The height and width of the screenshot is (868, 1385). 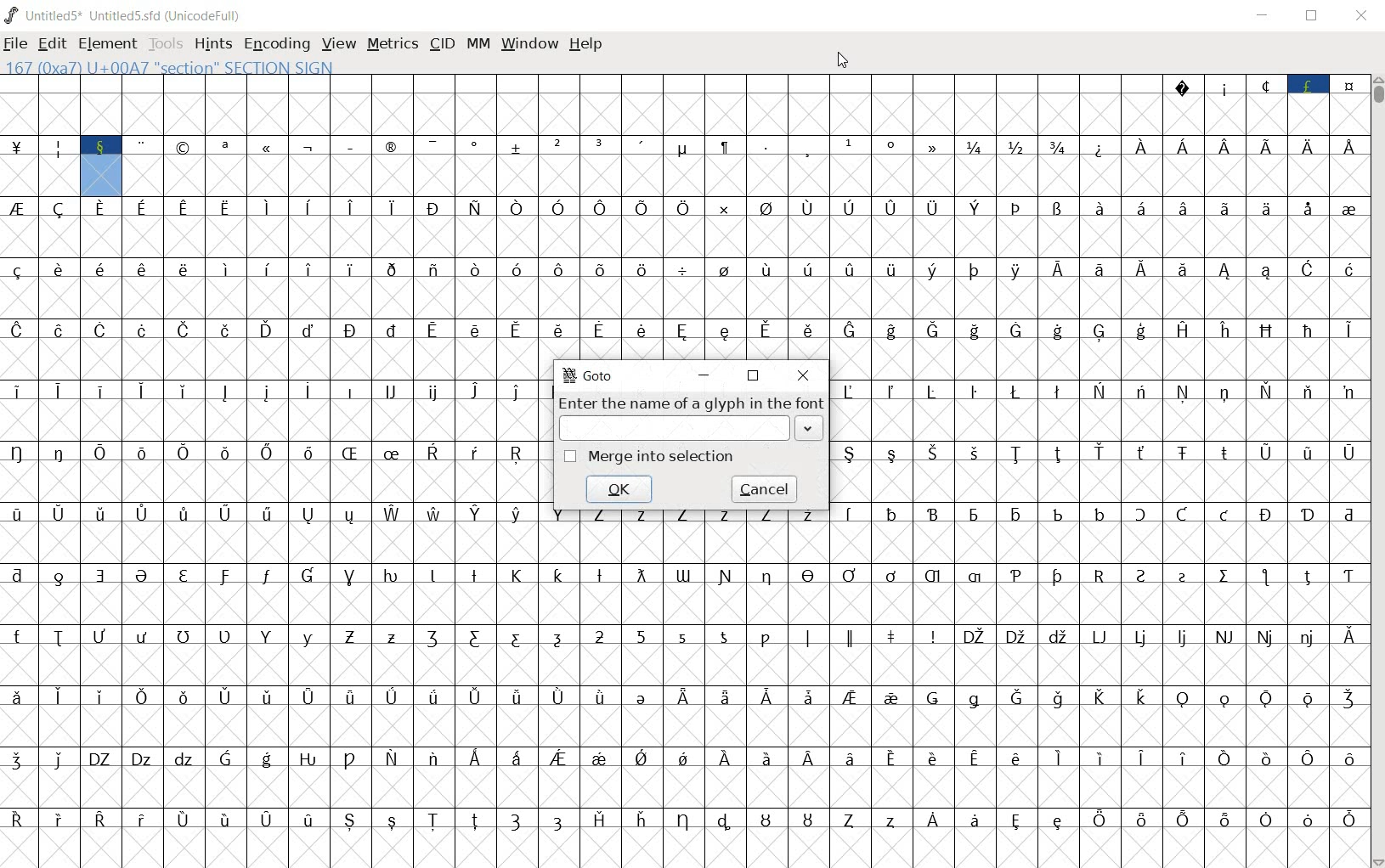 I want to click on symbol, so click(x=767, y=227).